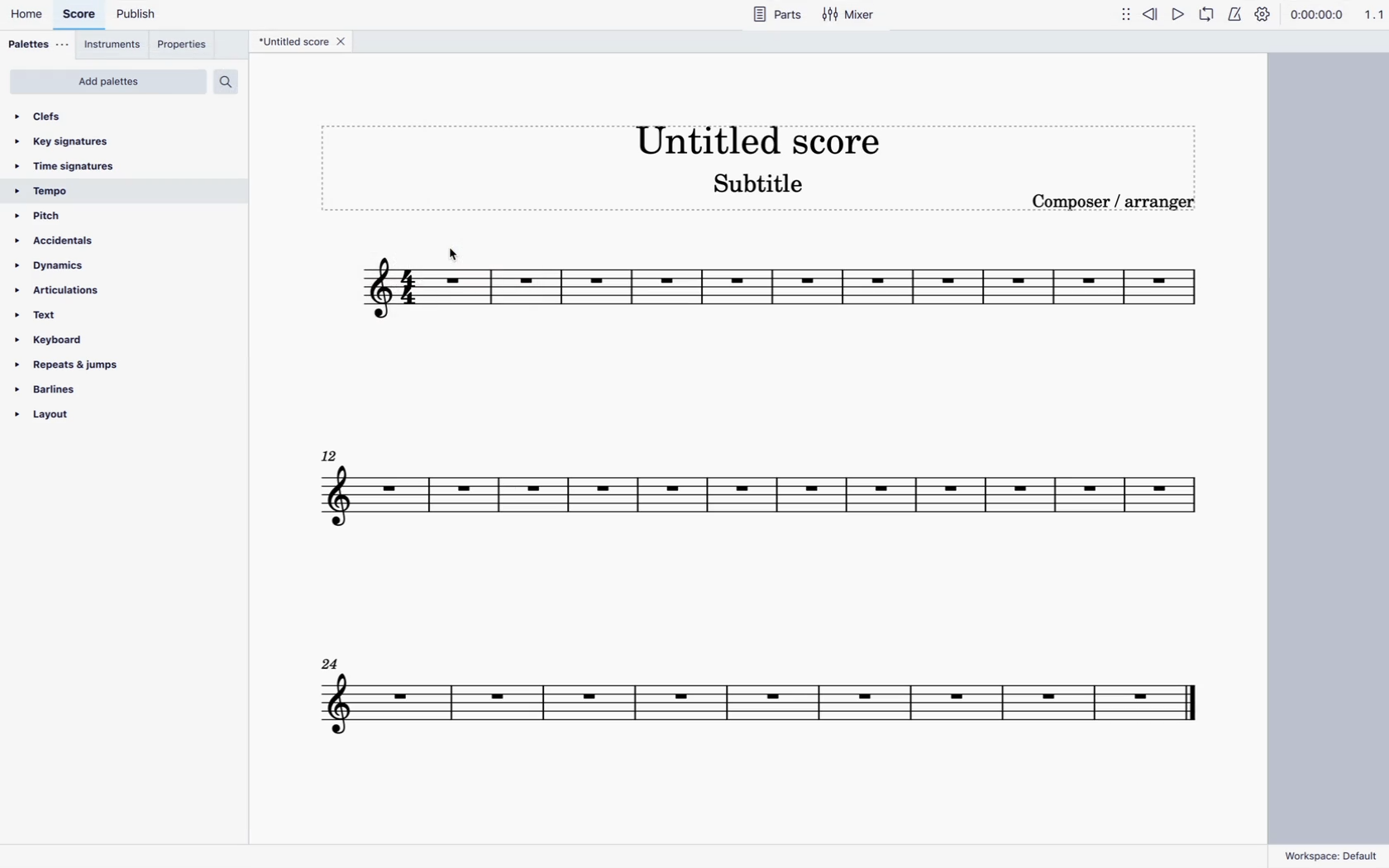 The width and height of the screenshot is (1389, 868). What do you see at coordinates (41, 45) in the screenshot?
I see `palettes` at bounding box center [41, 45].